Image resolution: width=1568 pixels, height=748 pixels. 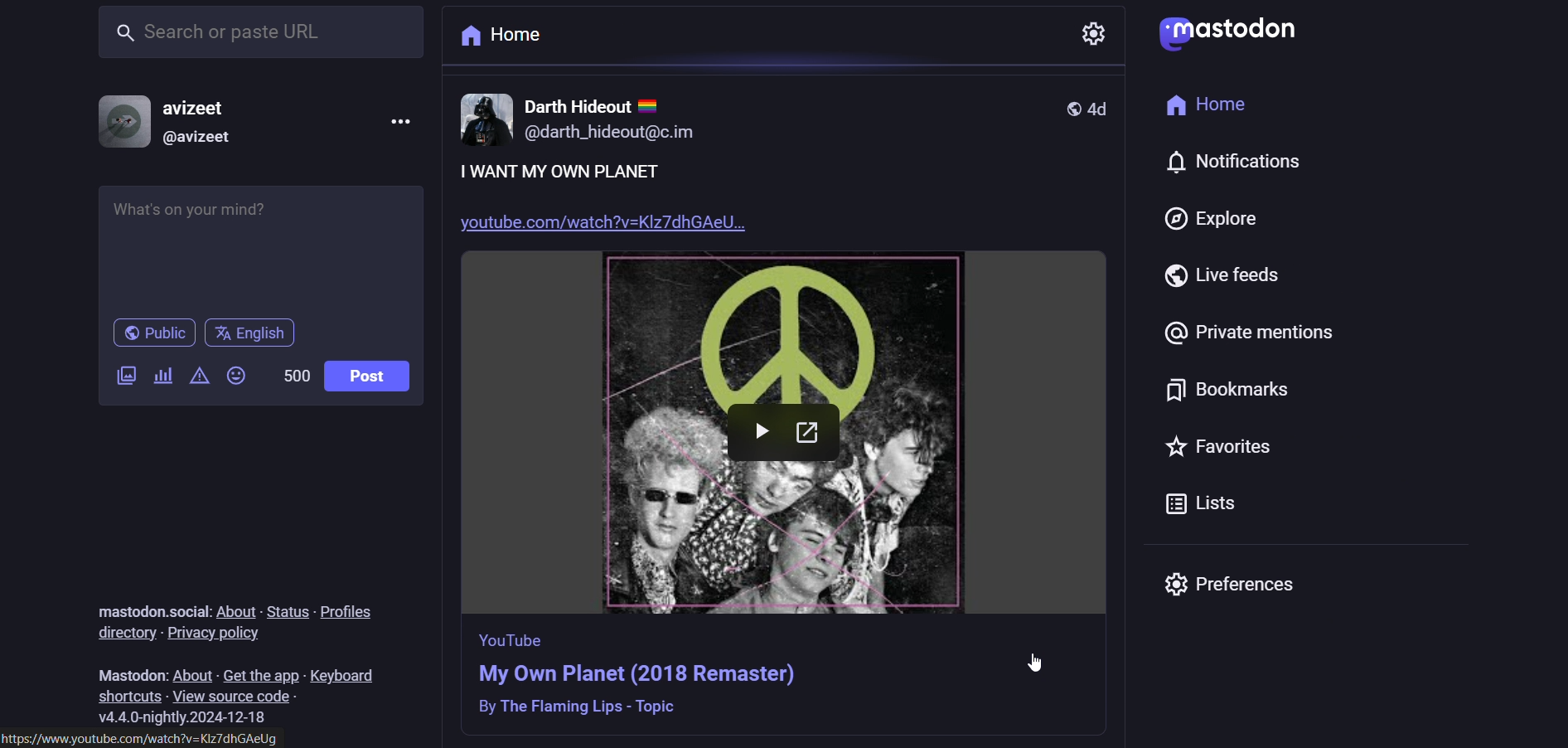 What do you see at coordinates (235, 697) in the screenshot?
I see `view source code` at bounding box center [235, 697].